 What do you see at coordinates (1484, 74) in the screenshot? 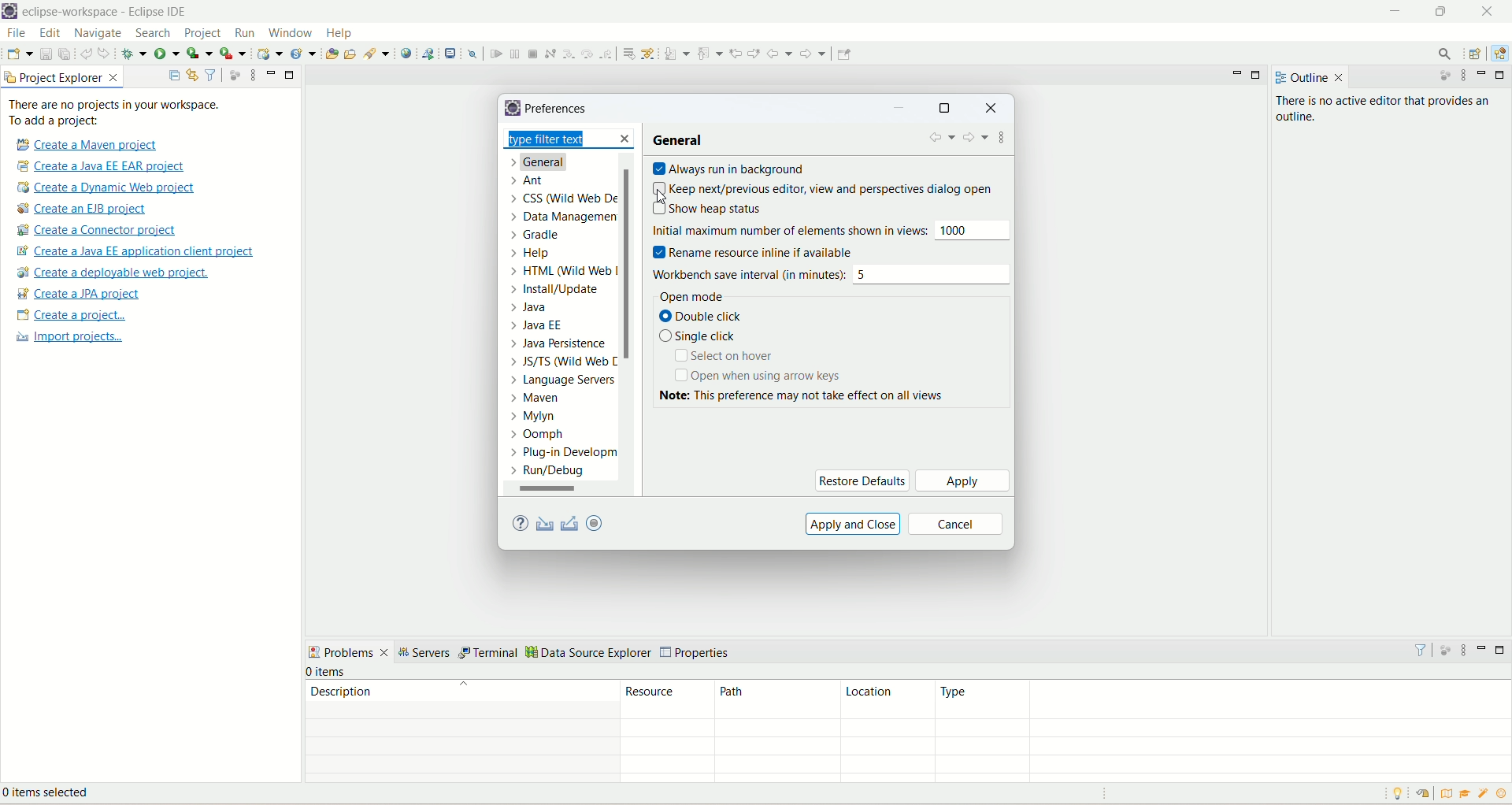
I see `minimize` at bounding box center [1484, 74].